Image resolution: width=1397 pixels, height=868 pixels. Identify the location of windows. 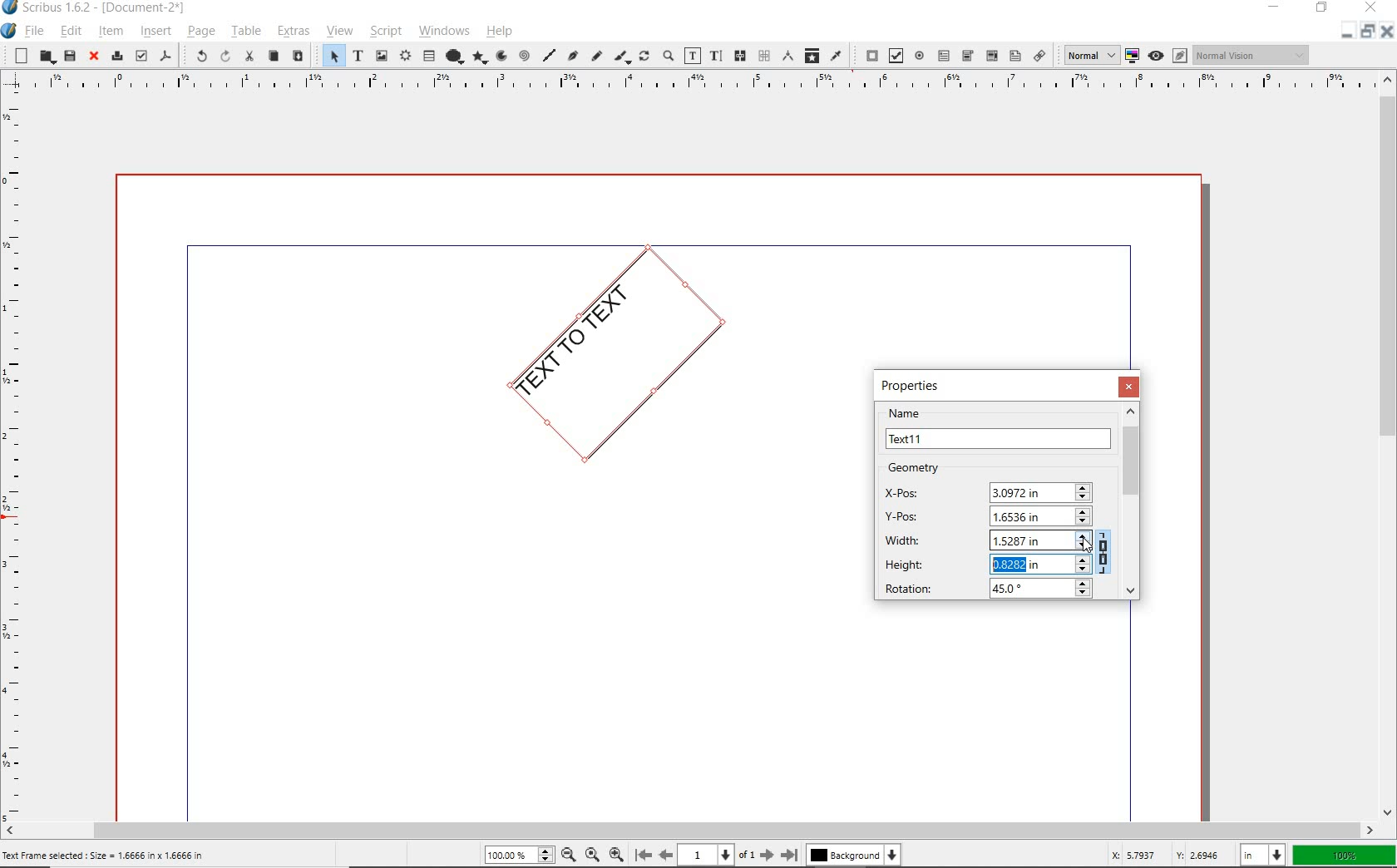
(444, 32).